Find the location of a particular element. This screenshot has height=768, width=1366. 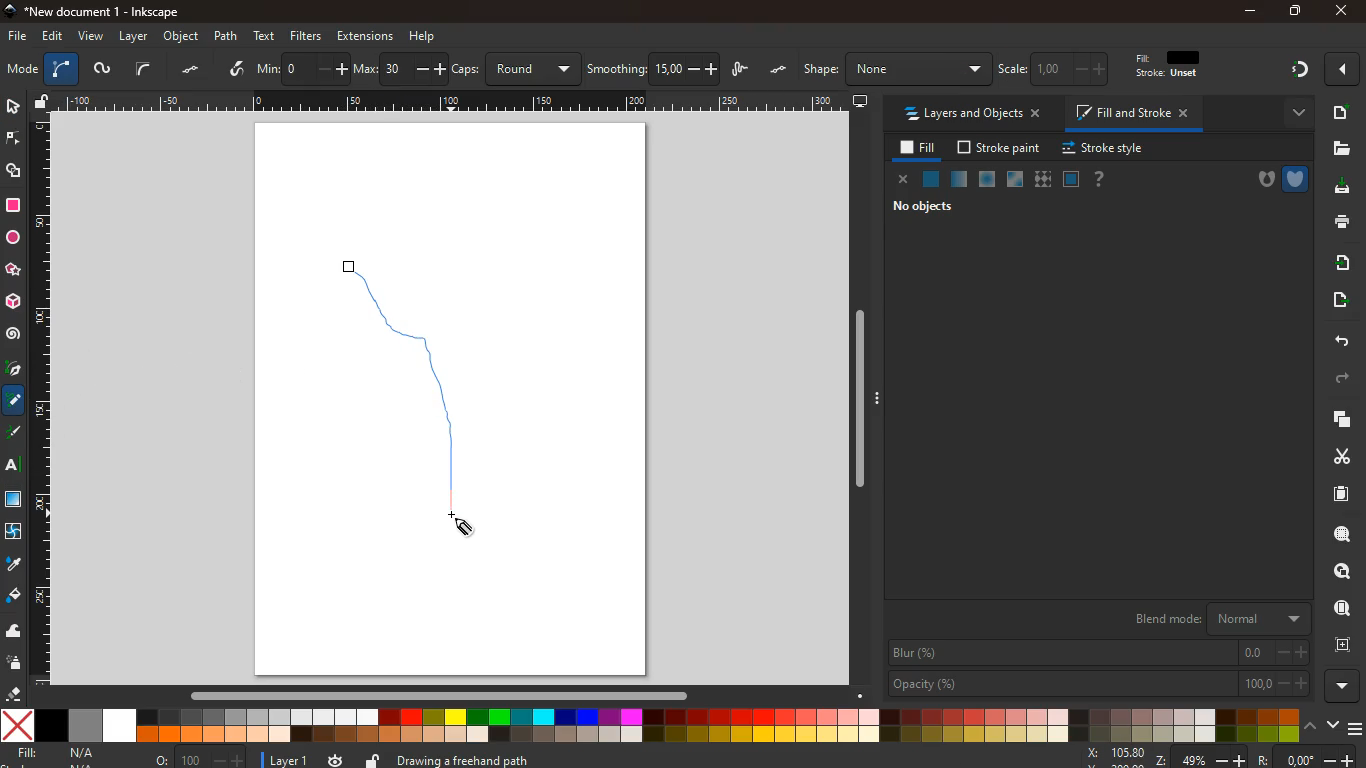

layers and objects is located at coordinates (970, 113).